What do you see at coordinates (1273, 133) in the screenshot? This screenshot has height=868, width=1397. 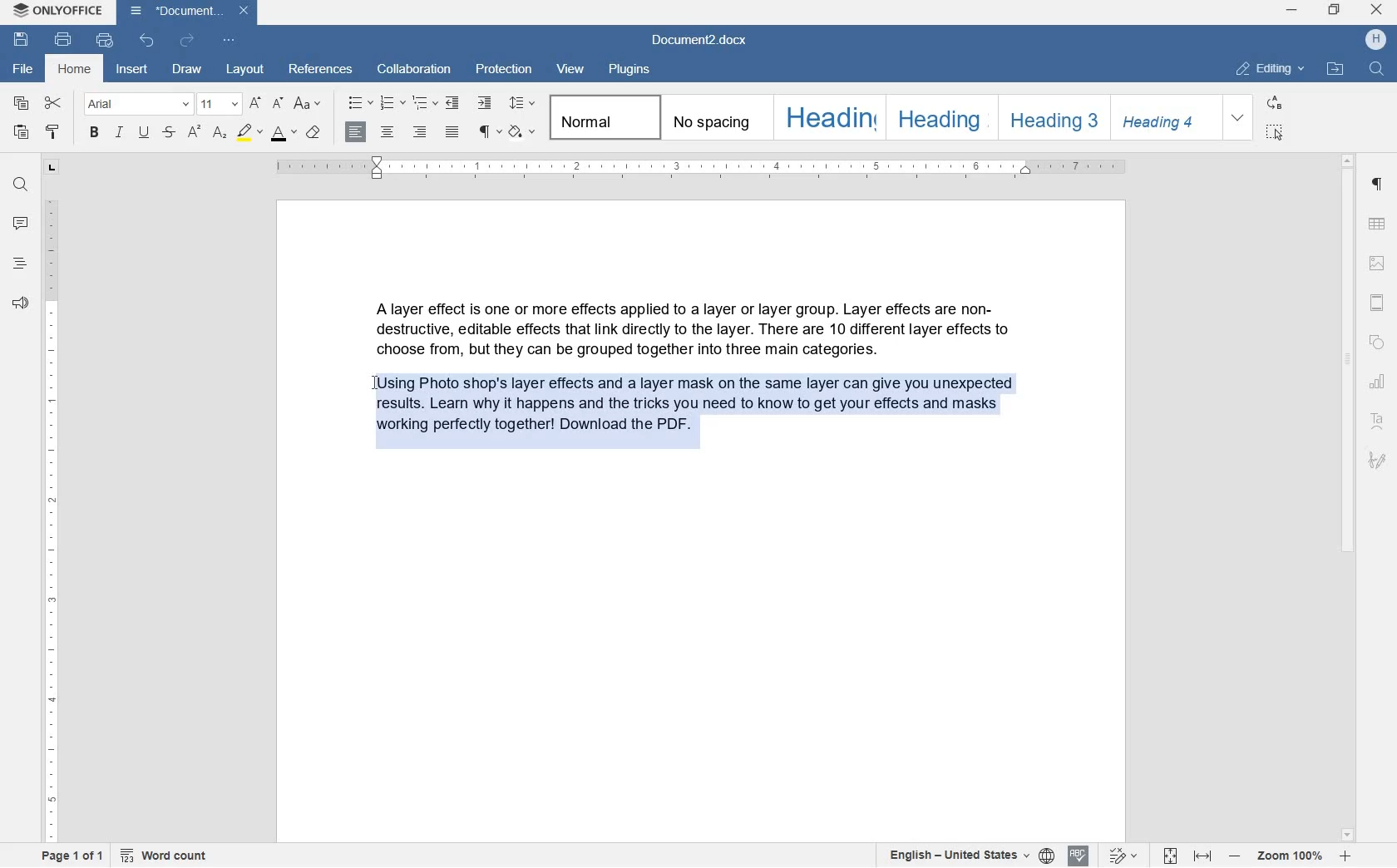 I see `SELECT ALL` at bounding box center [1273, 133].